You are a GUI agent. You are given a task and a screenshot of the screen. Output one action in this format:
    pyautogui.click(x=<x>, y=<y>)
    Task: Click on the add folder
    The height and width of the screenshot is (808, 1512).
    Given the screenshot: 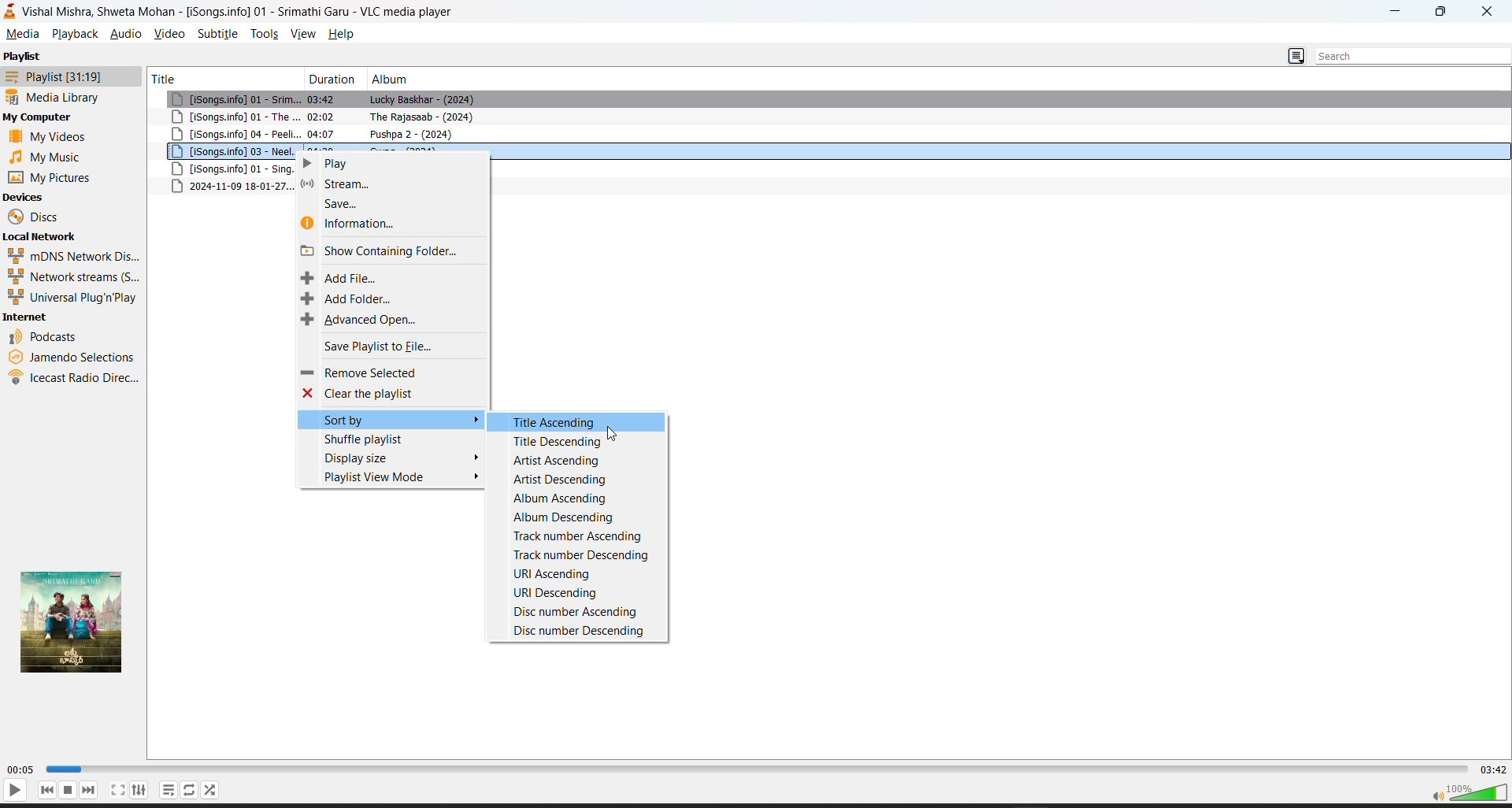 What is the action you would take?
    pyautogui.click(x=392, y=298)
    